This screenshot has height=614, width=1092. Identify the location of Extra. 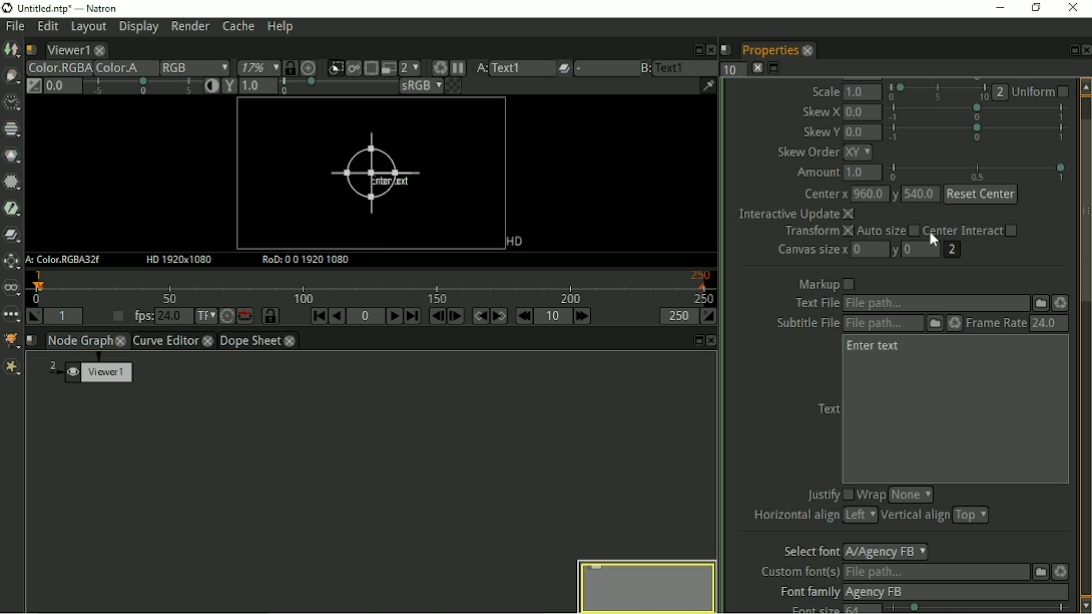
(12, 368).